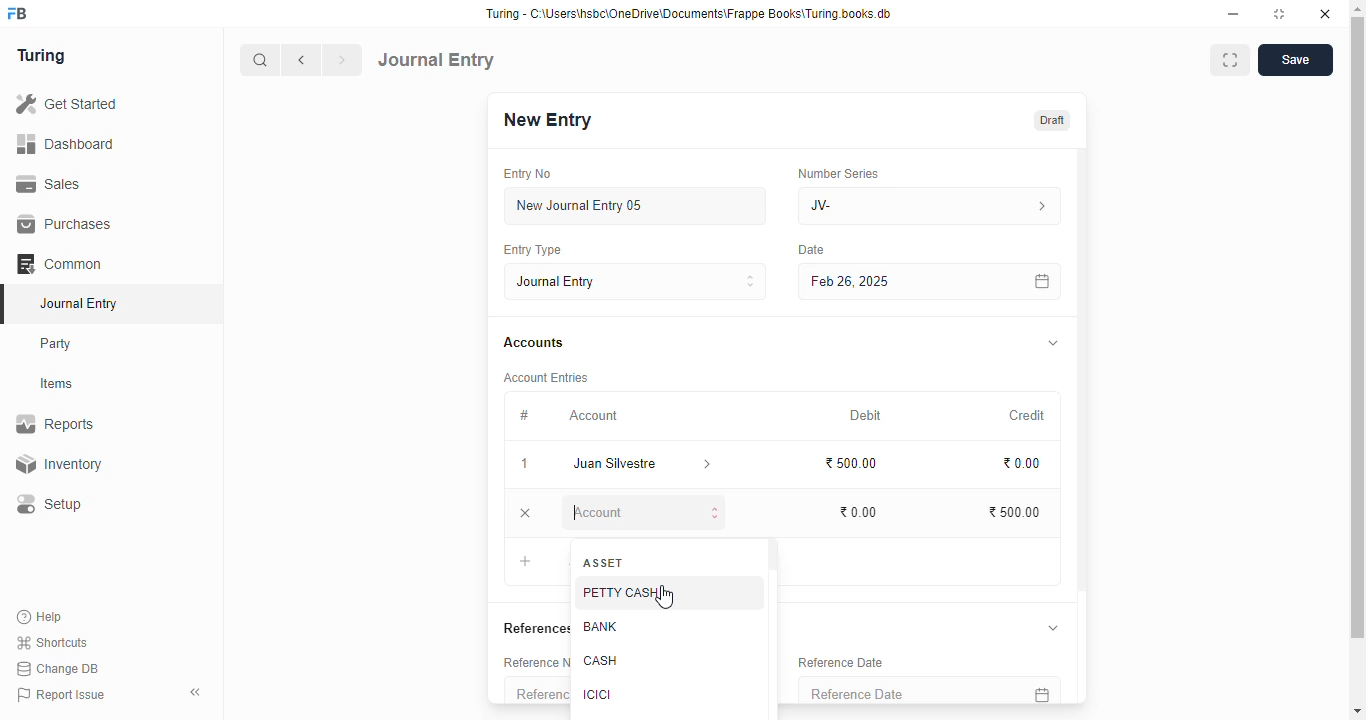 The image size is (1366, 720). Describe the element at coordinates (688, 14) in the screenshot. I see `Turing - C:\Users\hsbc\OneDrive\Documents\Frappe Books\Turing books.db` at that location.